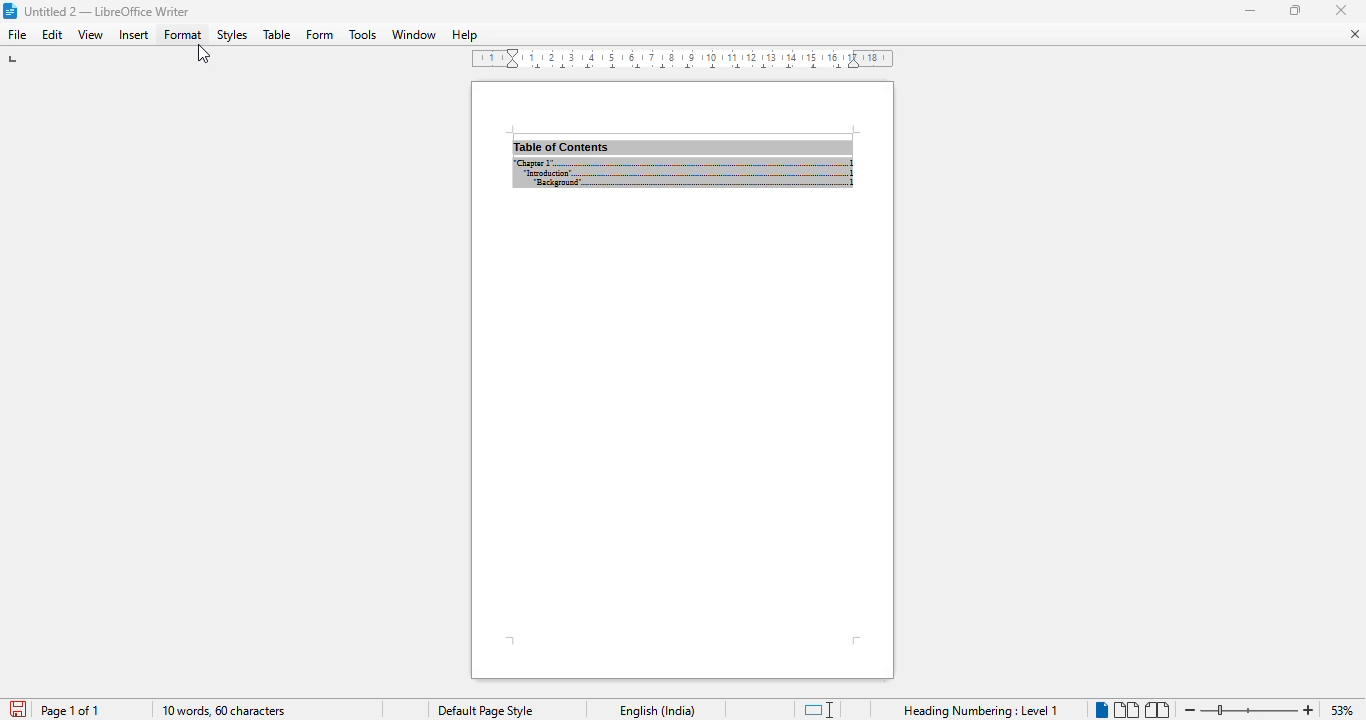  Describe the element at coordinates (1190, 709) in the screenshot. I see `zoom out` at that location.